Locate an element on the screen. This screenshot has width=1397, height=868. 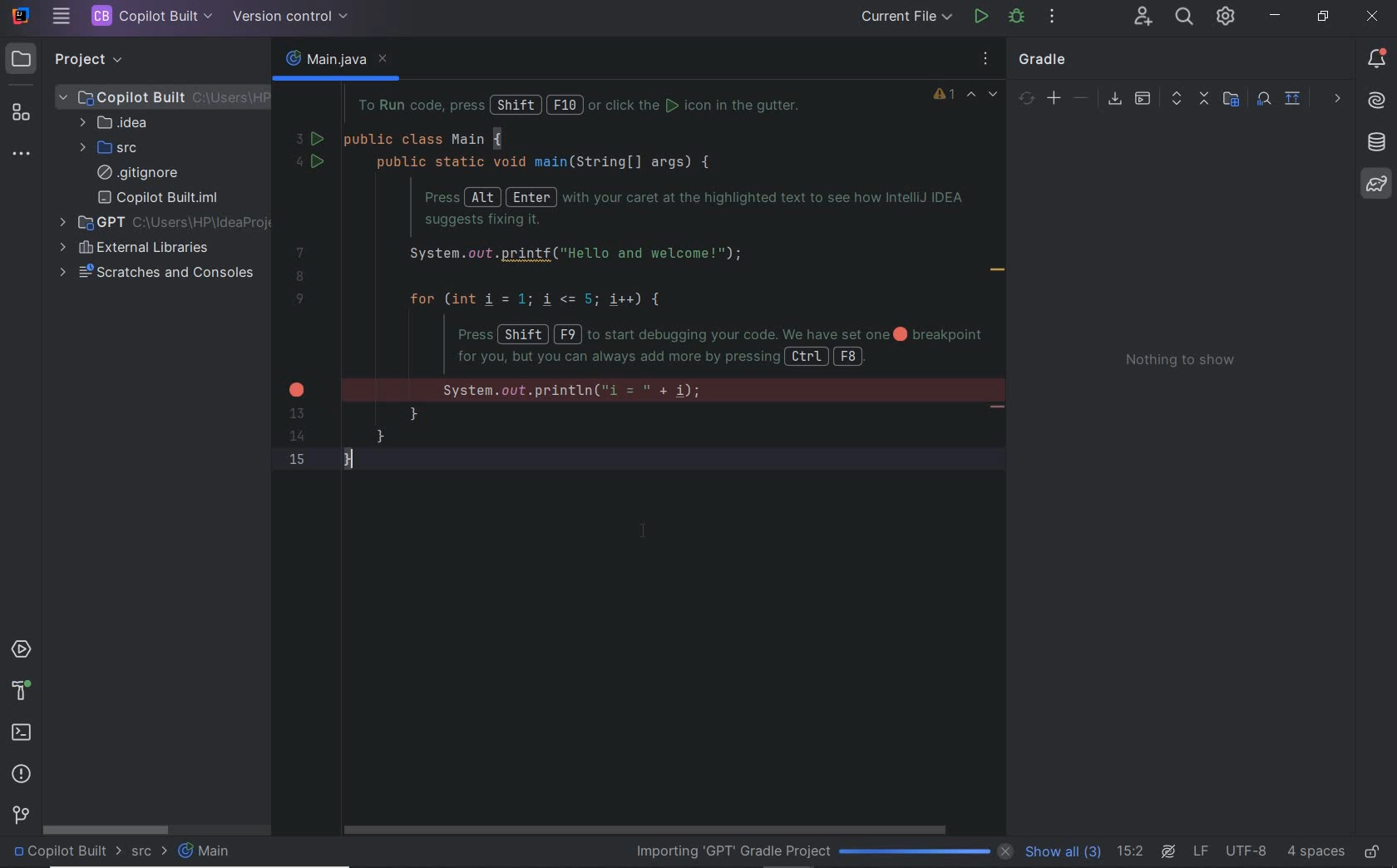
4 is located at coordinates (298, 163).